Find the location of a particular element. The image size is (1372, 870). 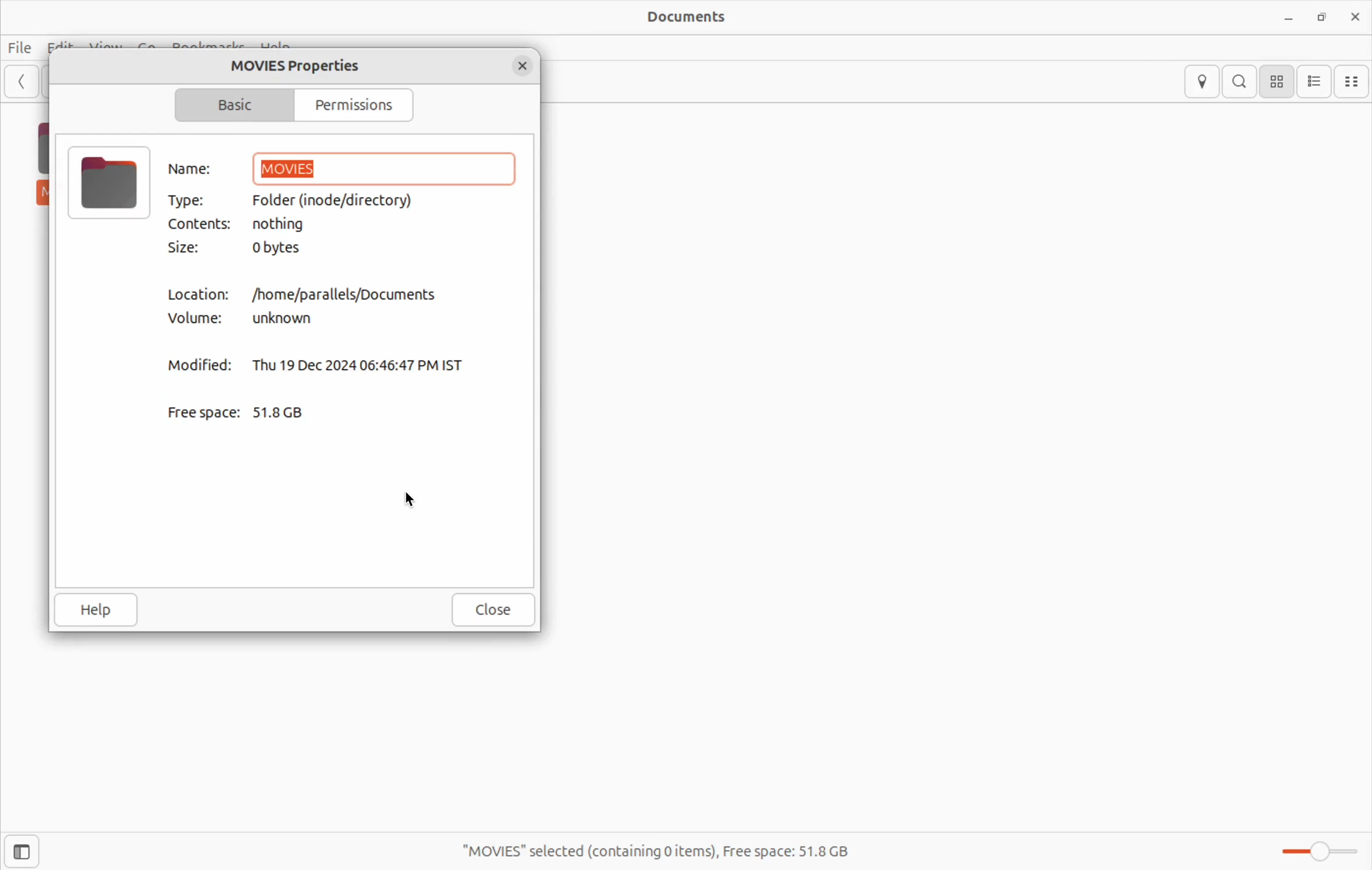

Thu 19 Dec 2024 06:46:47 PM IST is located at coordinates (364, 363).